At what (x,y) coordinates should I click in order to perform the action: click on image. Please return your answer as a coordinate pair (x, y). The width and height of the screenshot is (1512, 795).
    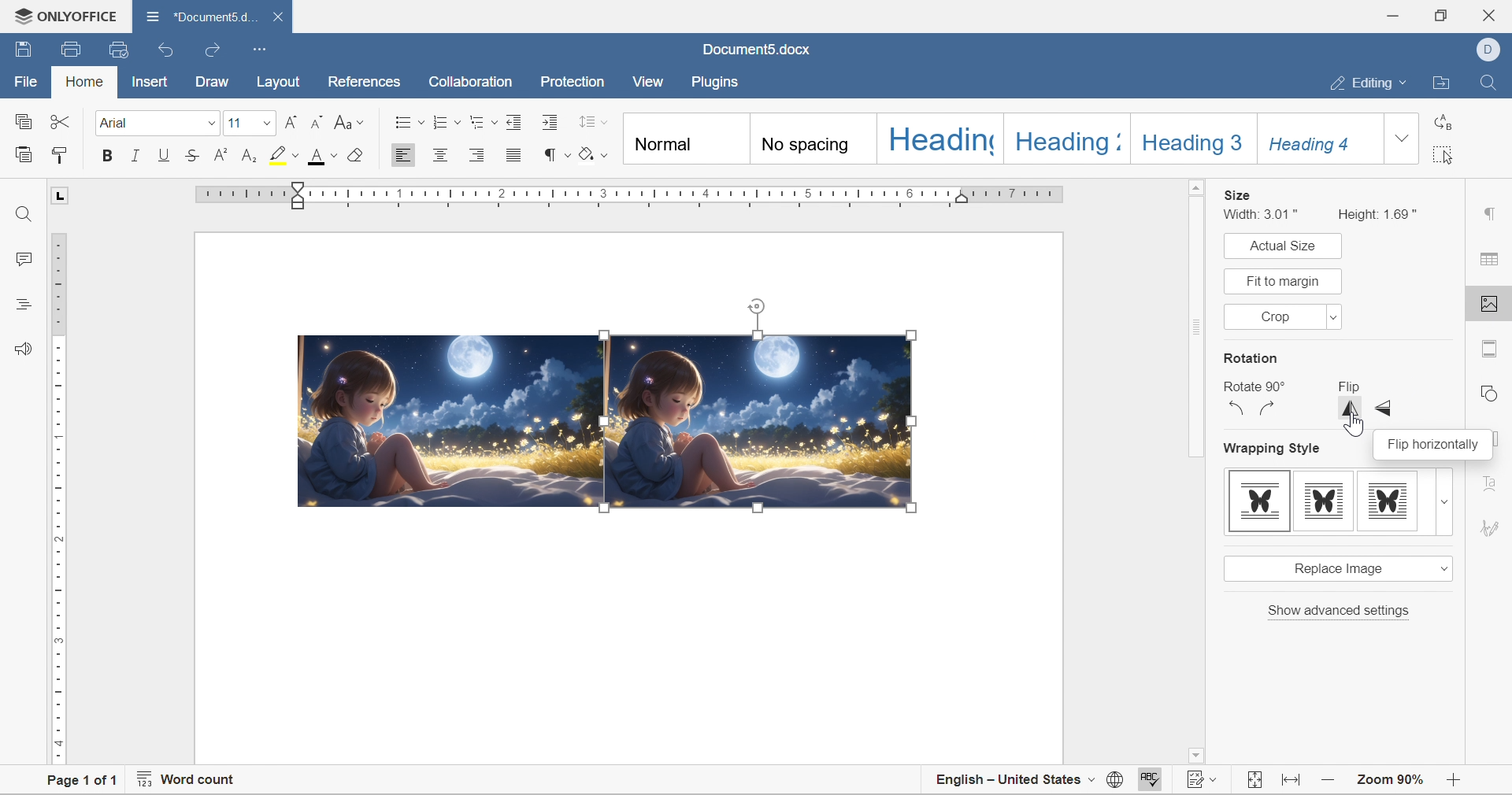
    Looking at the image, I should click on (761, 420).